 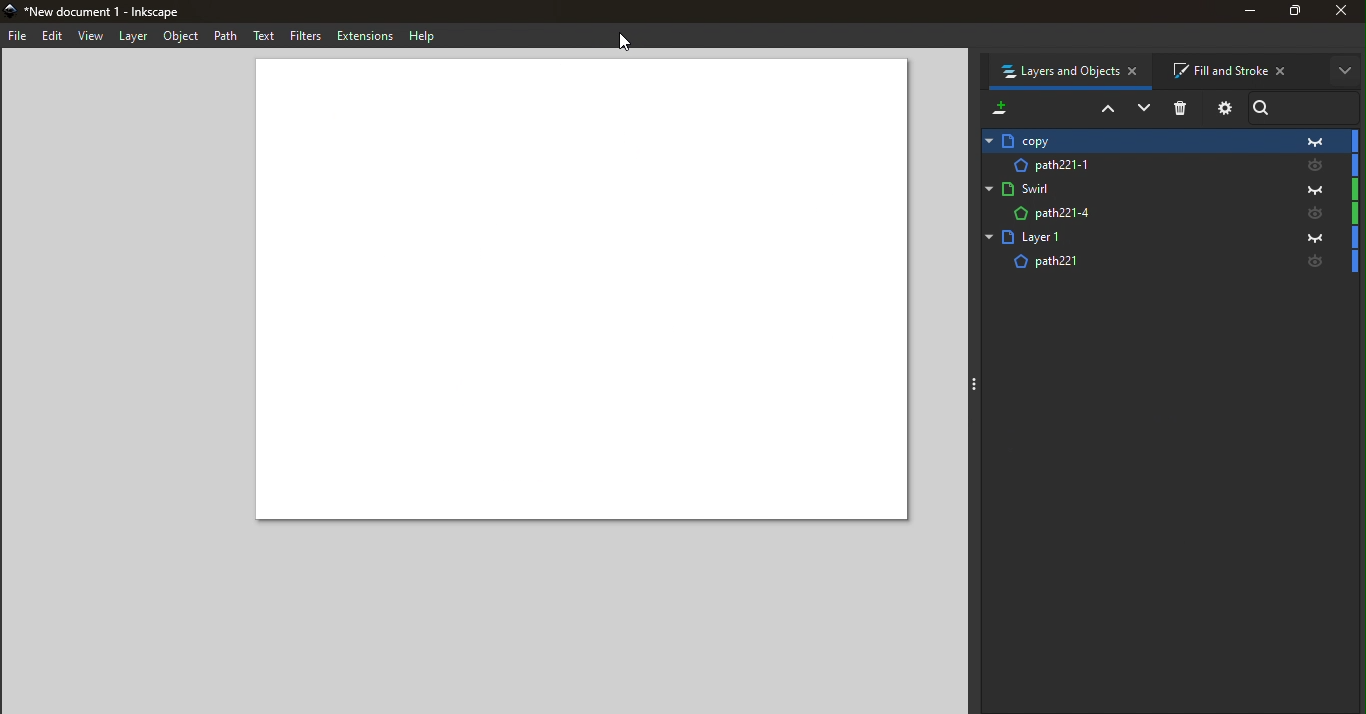 I want to click on Filters, so click(x=305, y=35).